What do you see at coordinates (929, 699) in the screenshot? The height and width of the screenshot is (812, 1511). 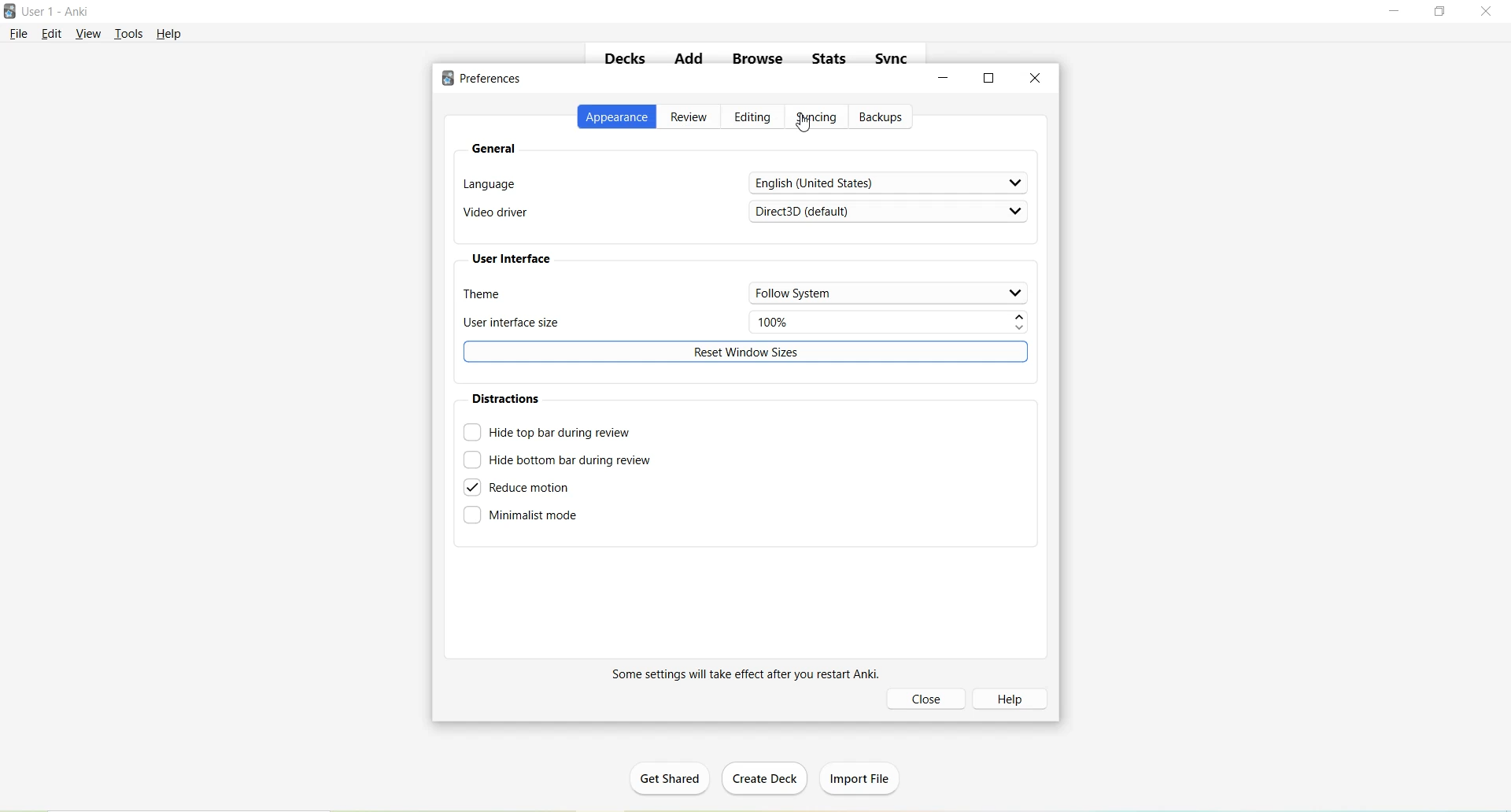 I see `Close` at bounding box center [929, 699].